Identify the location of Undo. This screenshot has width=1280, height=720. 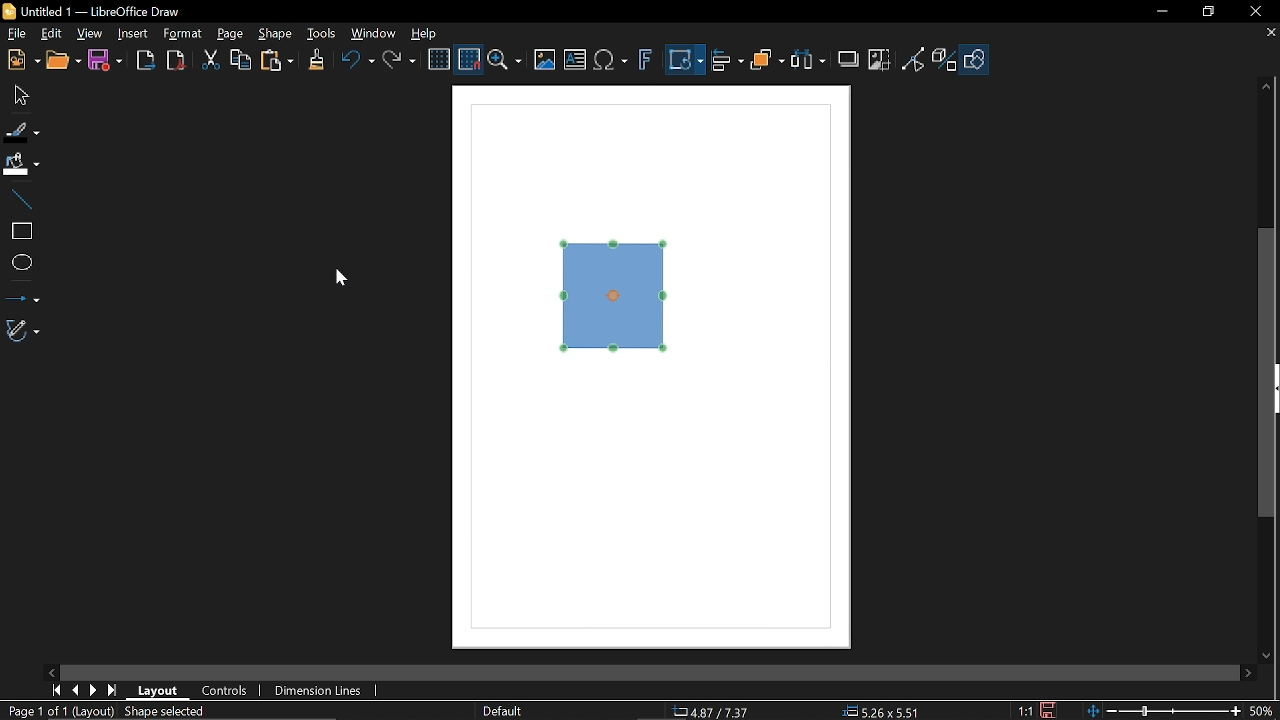
(354, 62).